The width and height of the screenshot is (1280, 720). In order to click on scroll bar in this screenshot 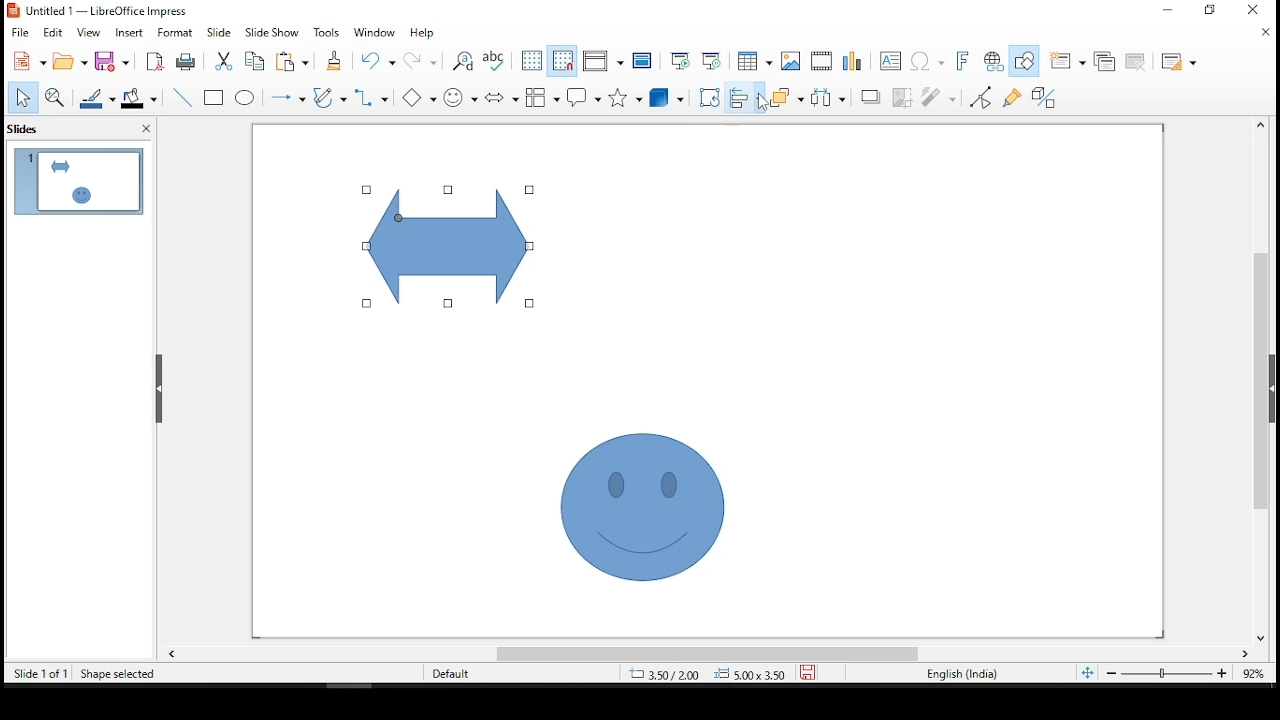, I will do `click(709, 654)`.